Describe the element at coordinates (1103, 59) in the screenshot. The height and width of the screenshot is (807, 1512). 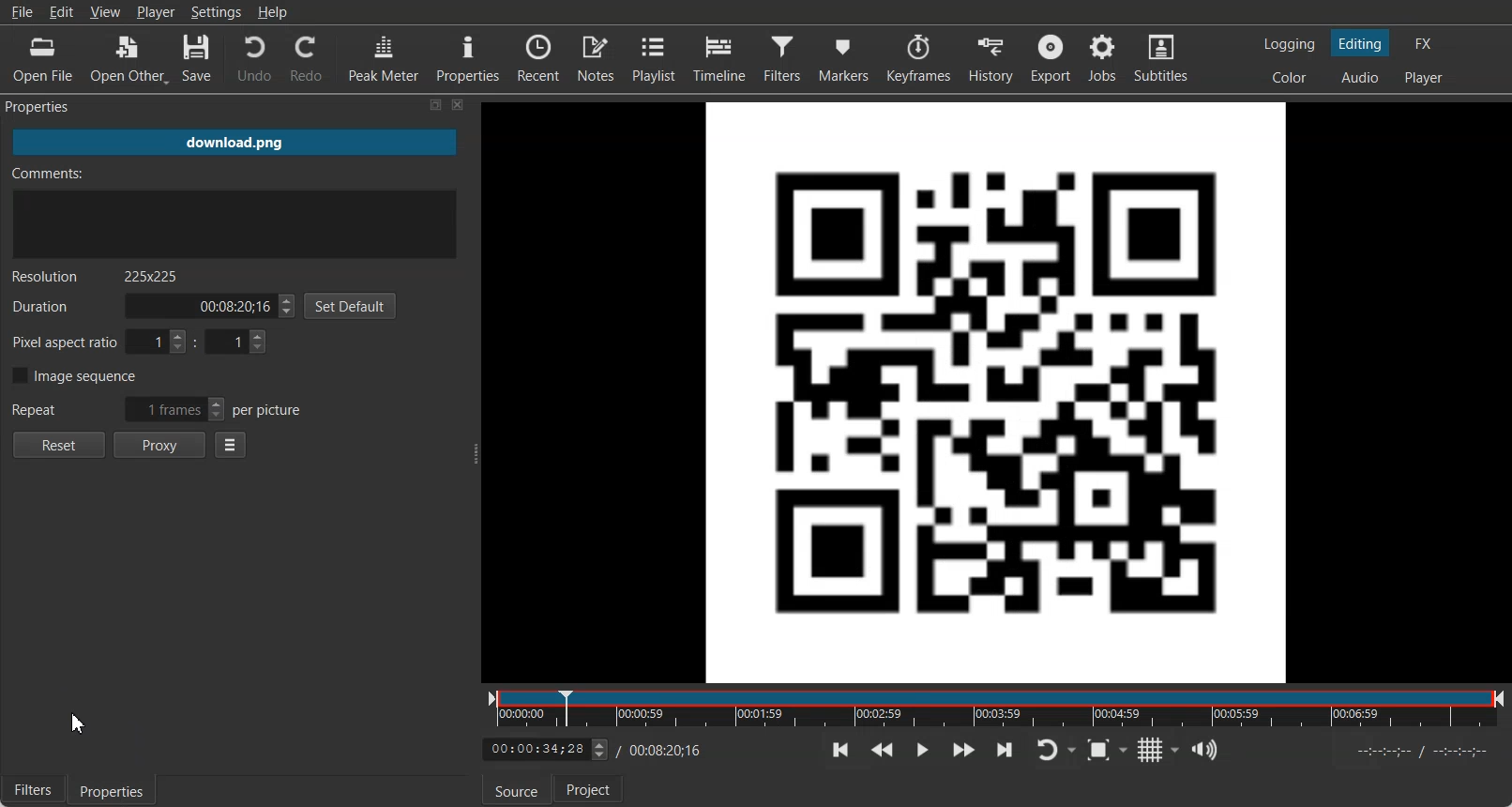
I see `jobs` at that location.